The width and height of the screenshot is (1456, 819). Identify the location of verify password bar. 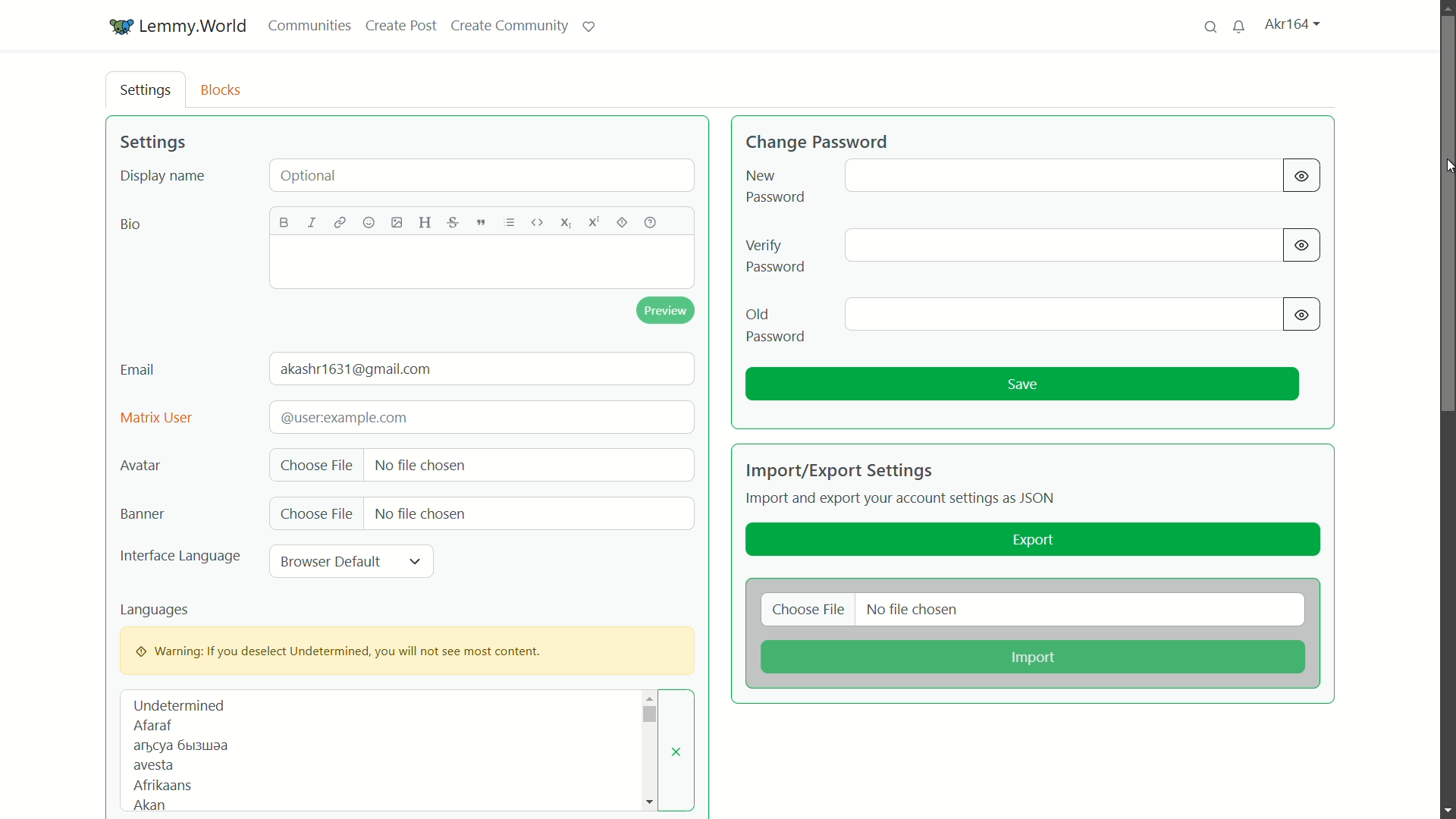
(1061, 246).